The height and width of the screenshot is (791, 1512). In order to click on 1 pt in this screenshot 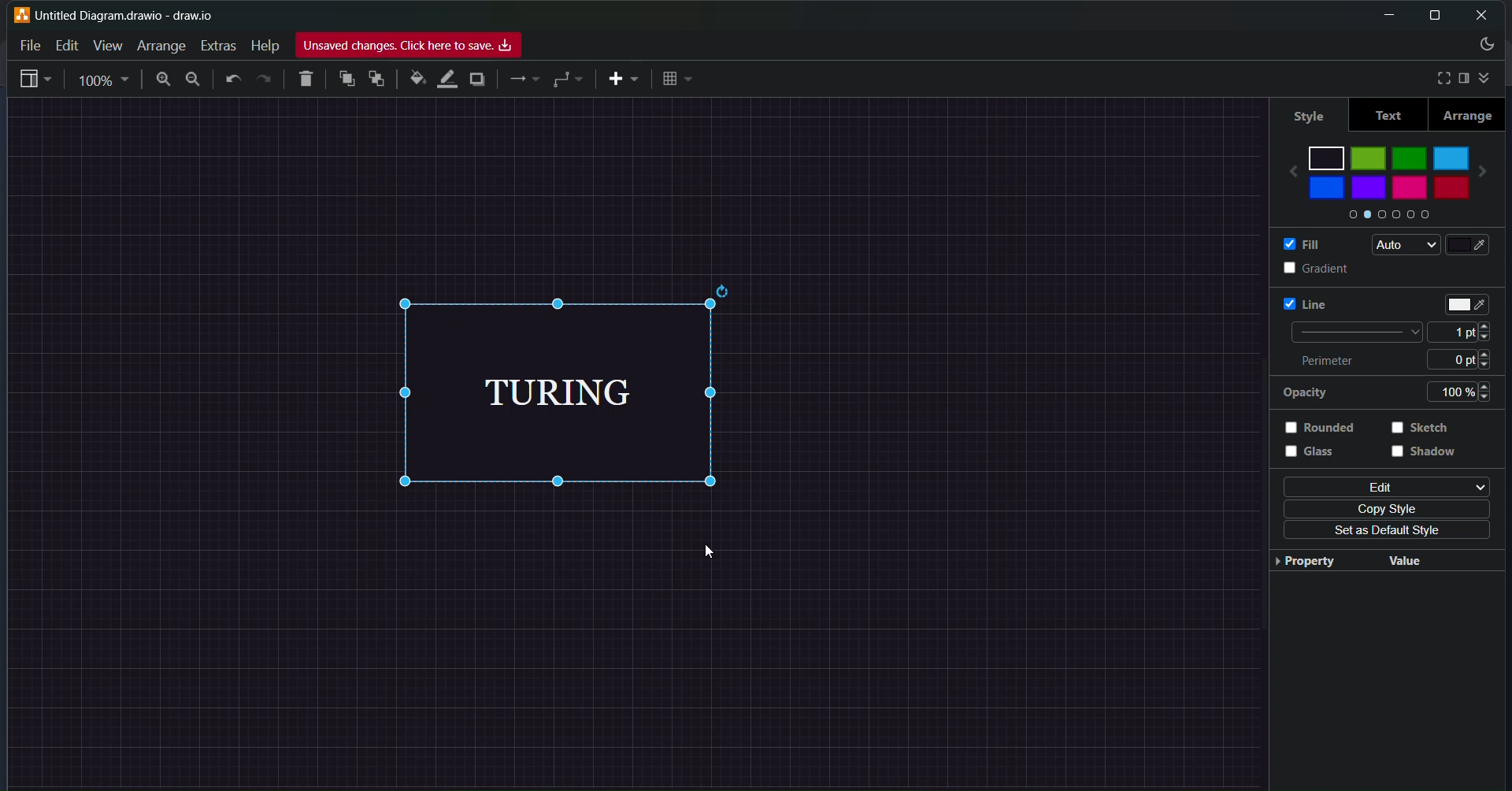, I will do `click(1466, 332)`.